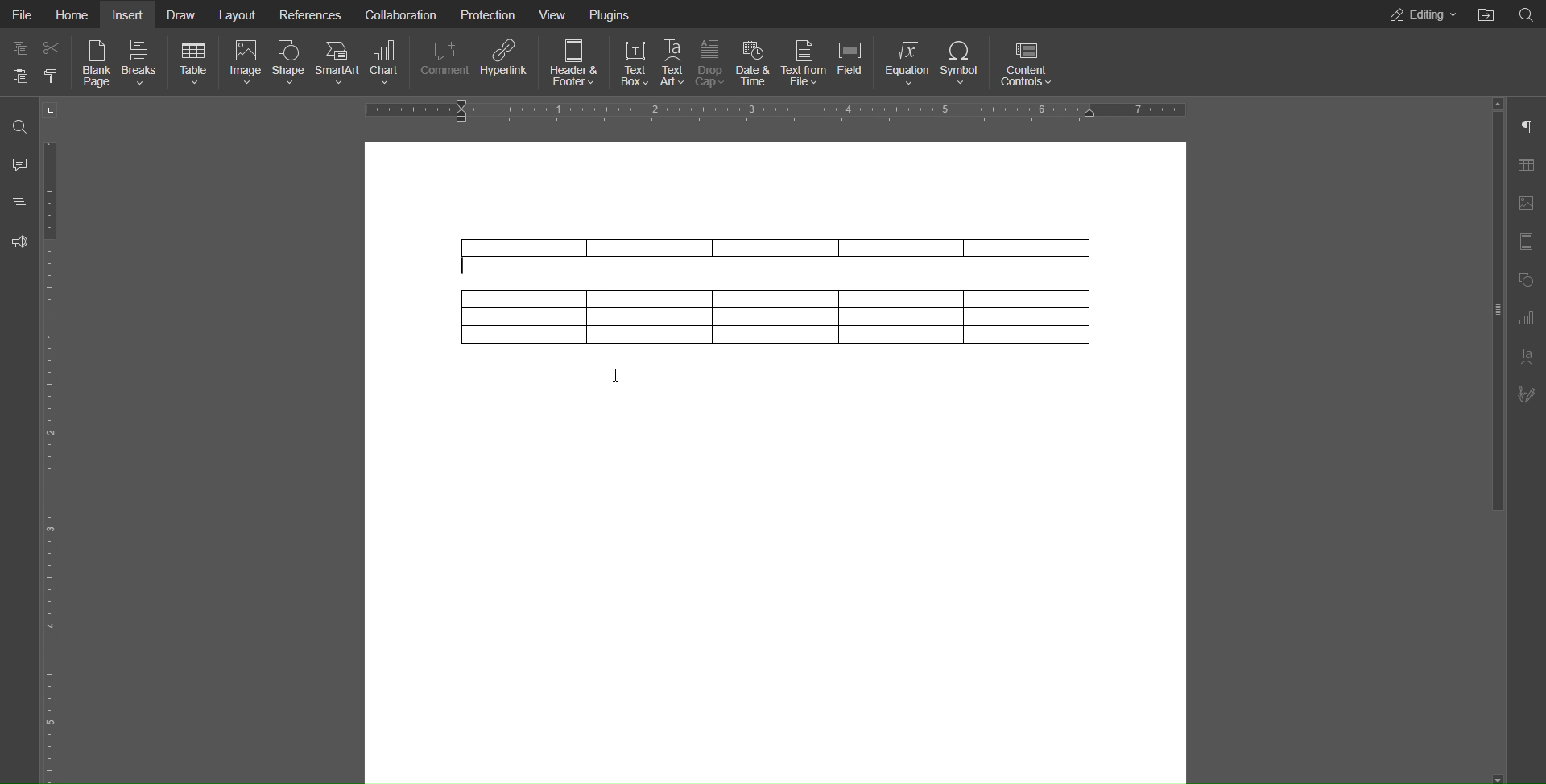 The width and height of the screenshot is (1546, 784). I want to click on slider, so click(1486, 316).